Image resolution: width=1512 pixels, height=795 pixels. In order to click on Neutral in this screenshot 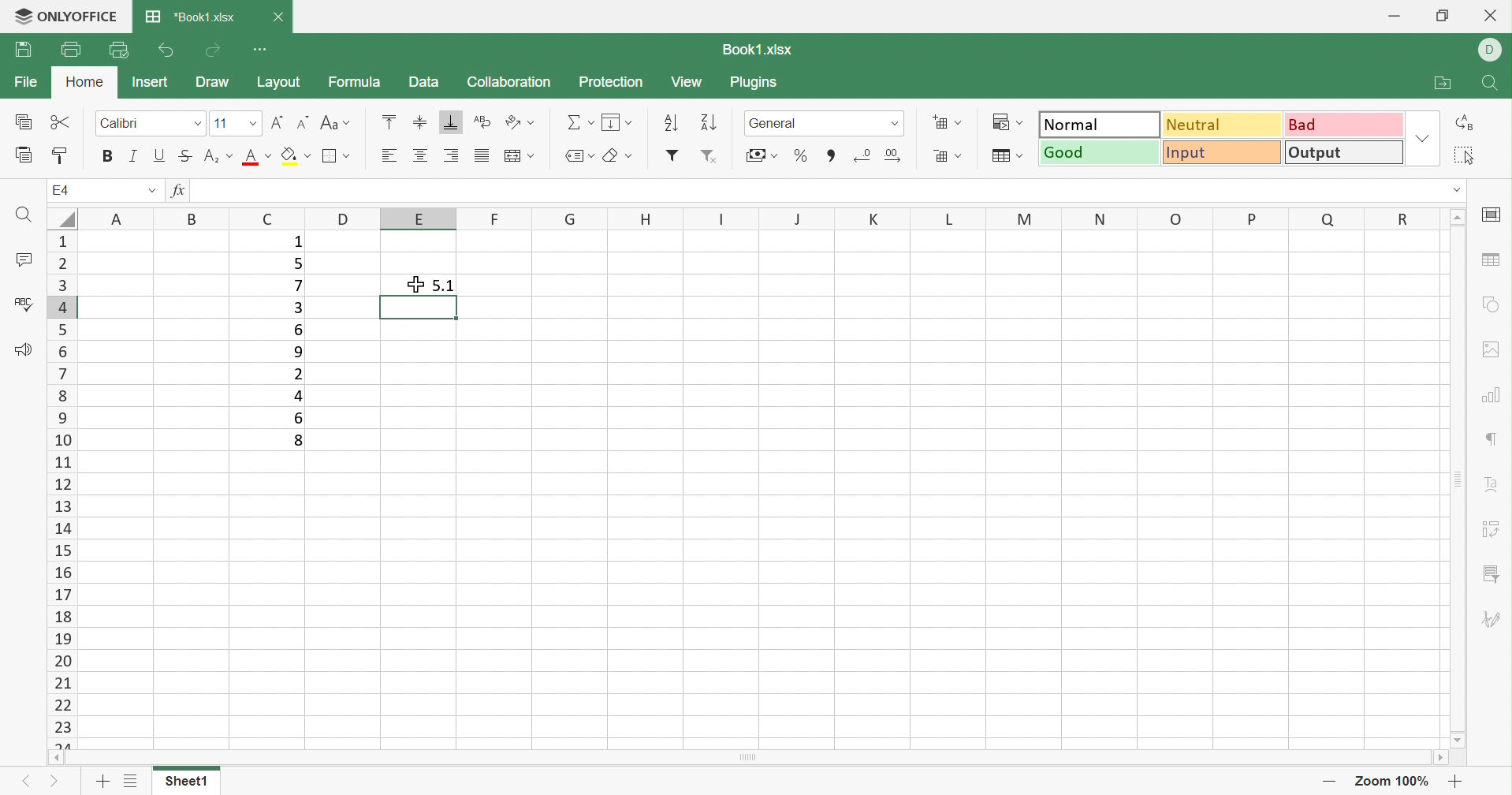, I will do `click(1221, 126)`.